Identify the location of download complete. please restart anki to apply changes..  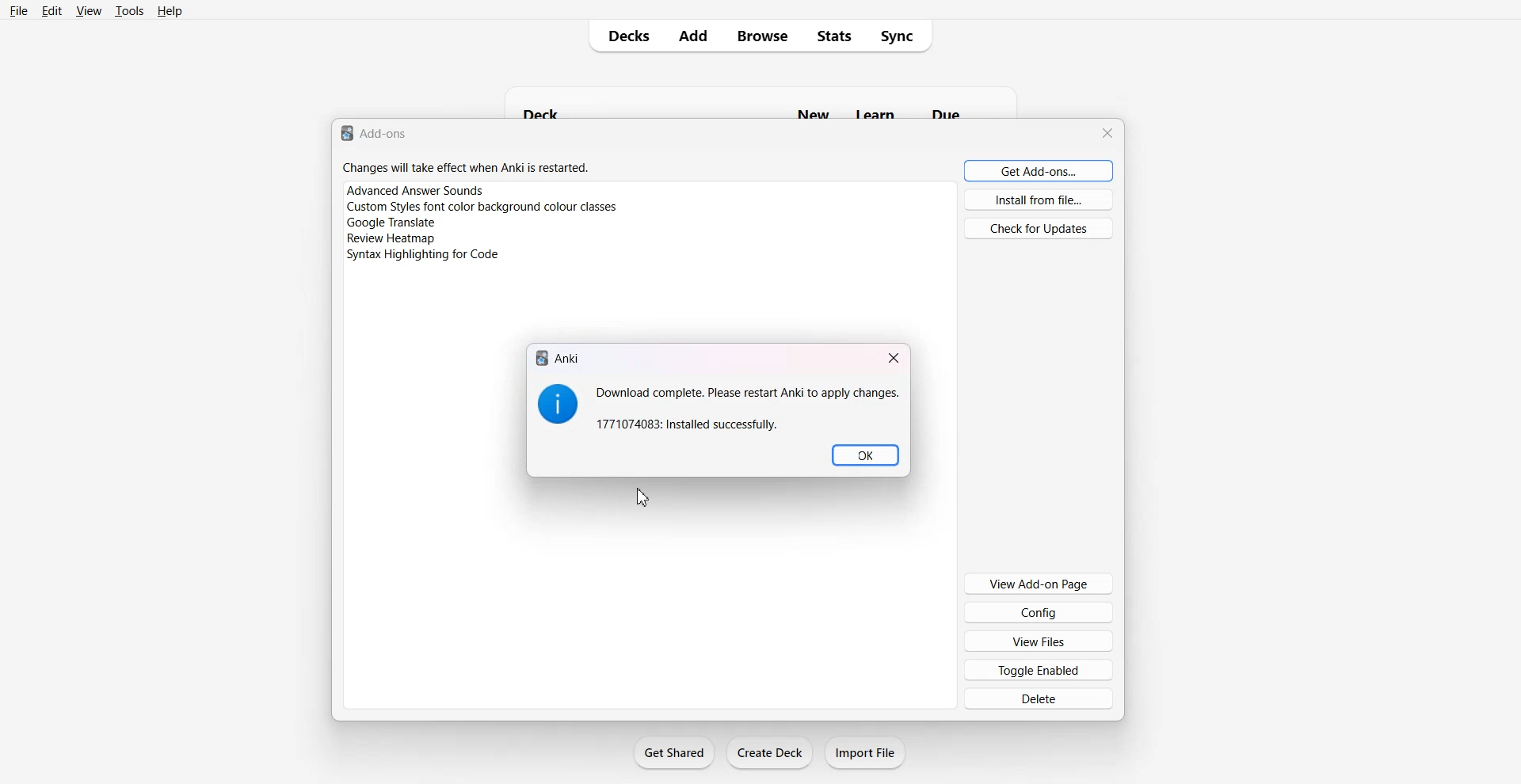
(746, 409).